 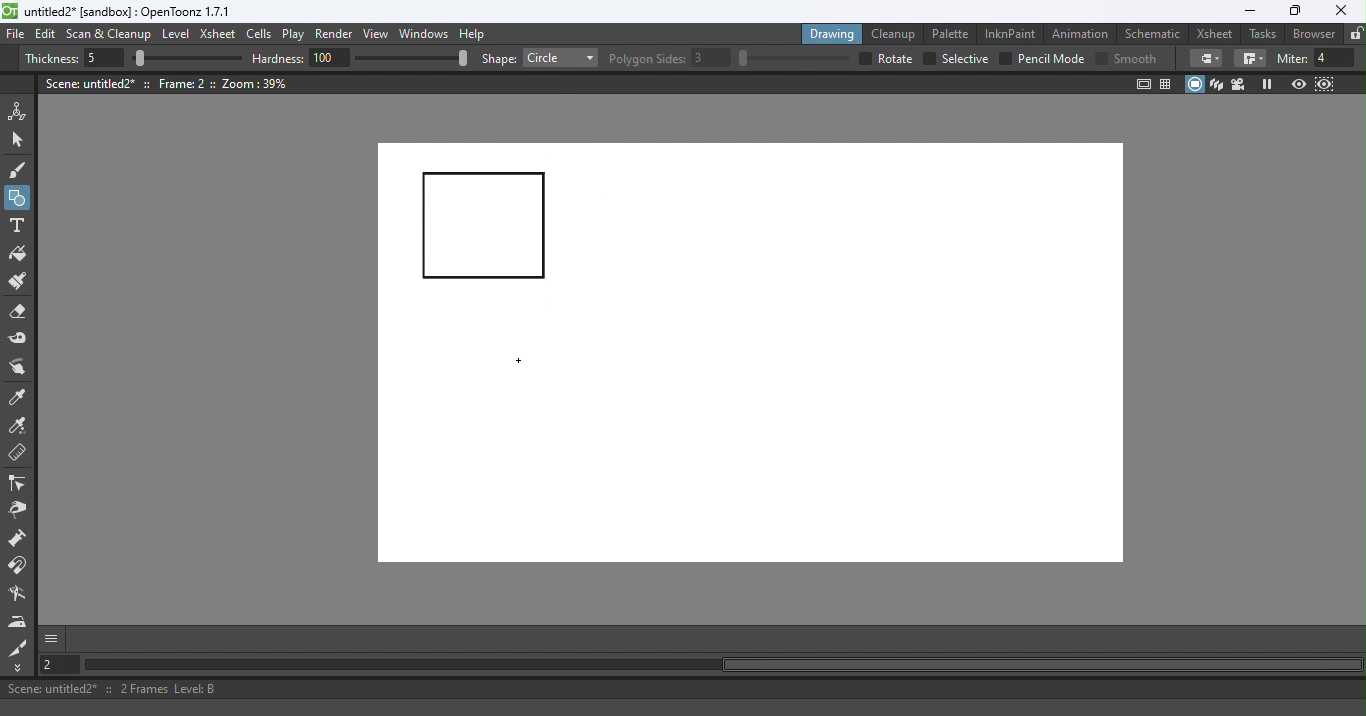 What do you see at coordinates (1326, 84) in the screenshot?
I see `Sub-Camera view` at bounding box center [1326, 84].